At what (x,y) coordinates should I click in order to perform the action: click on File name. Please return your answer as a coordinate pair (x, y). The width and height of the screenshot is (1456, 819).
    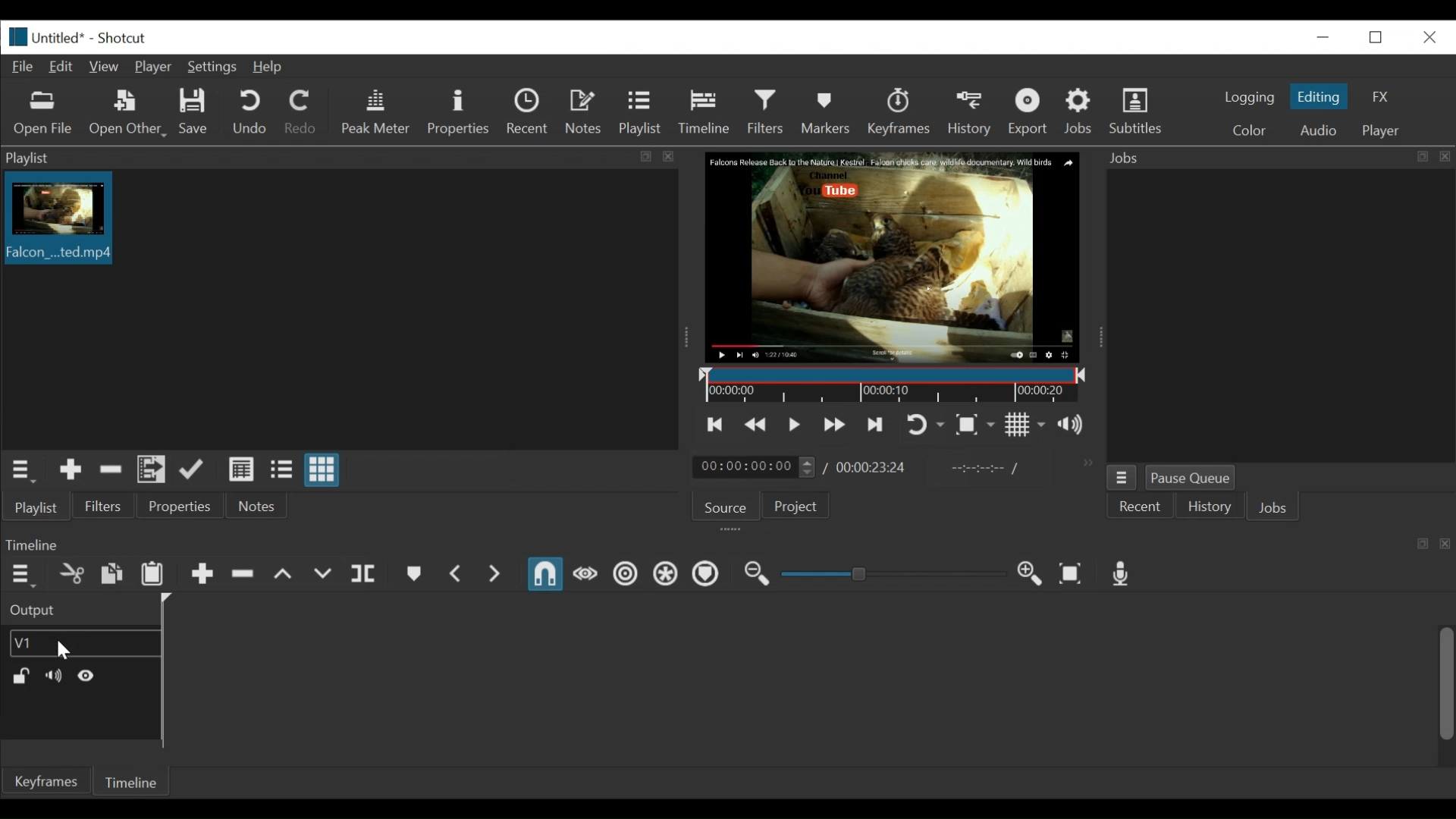
    Looking at the image, I should click on (45, 36).